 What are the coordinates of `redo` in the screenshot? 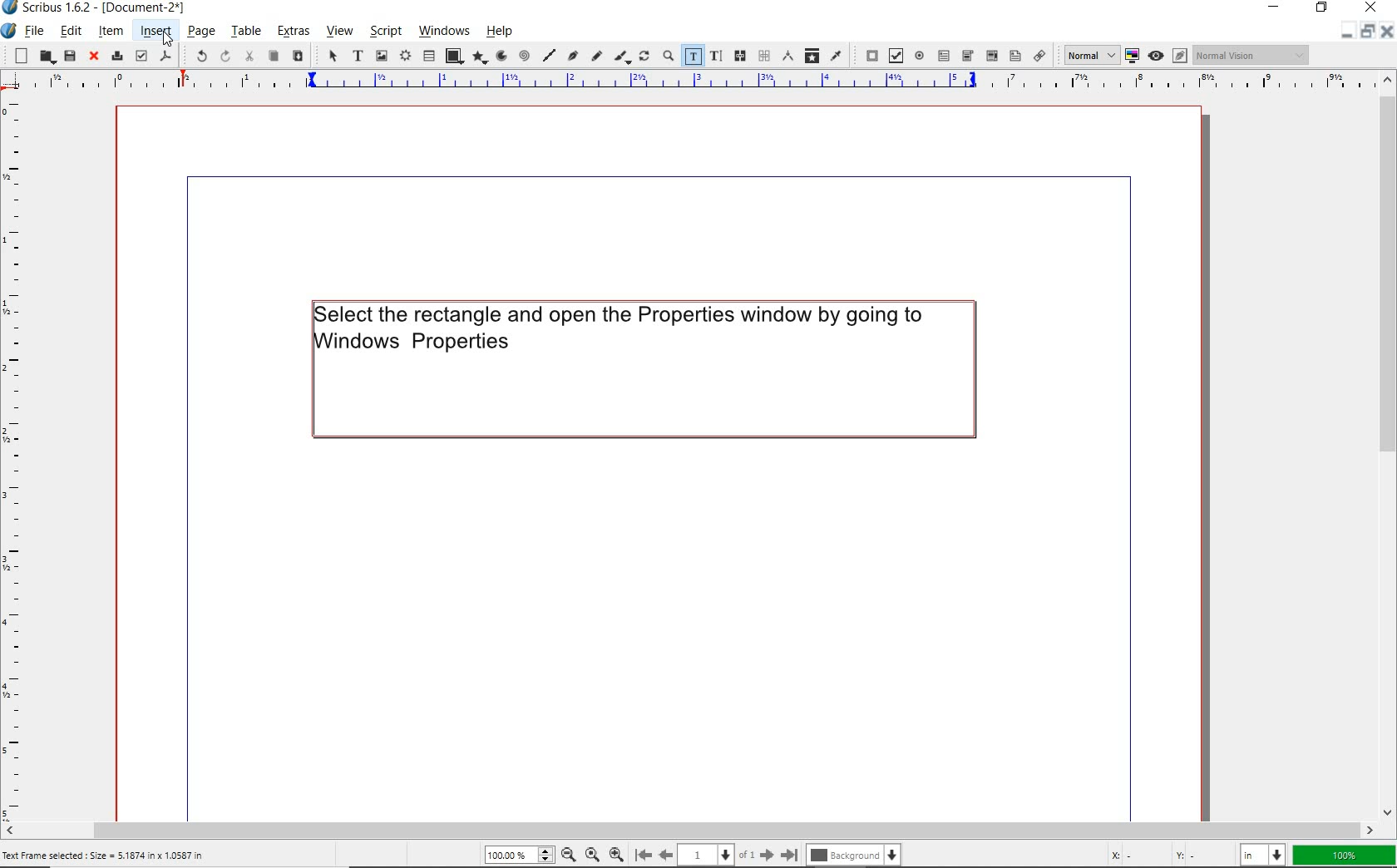 It's located at (224, 57).